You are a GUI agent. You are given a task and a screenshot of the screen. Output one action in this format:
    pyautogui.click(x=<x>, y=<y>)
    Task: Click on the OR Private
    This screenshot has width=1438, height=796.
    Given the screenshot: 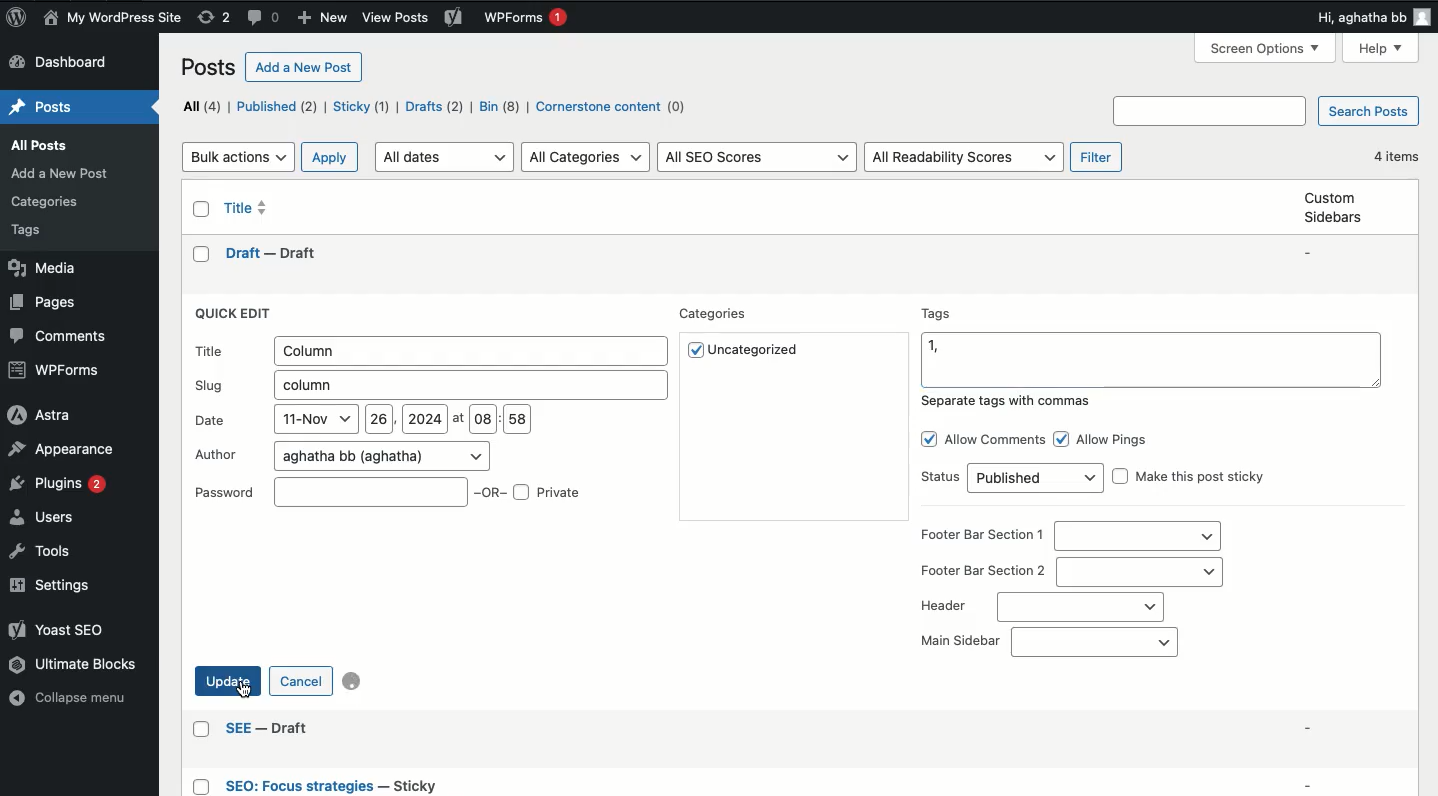 What is the action you would take?
    pyautogui.click(x=531, y=493)
    